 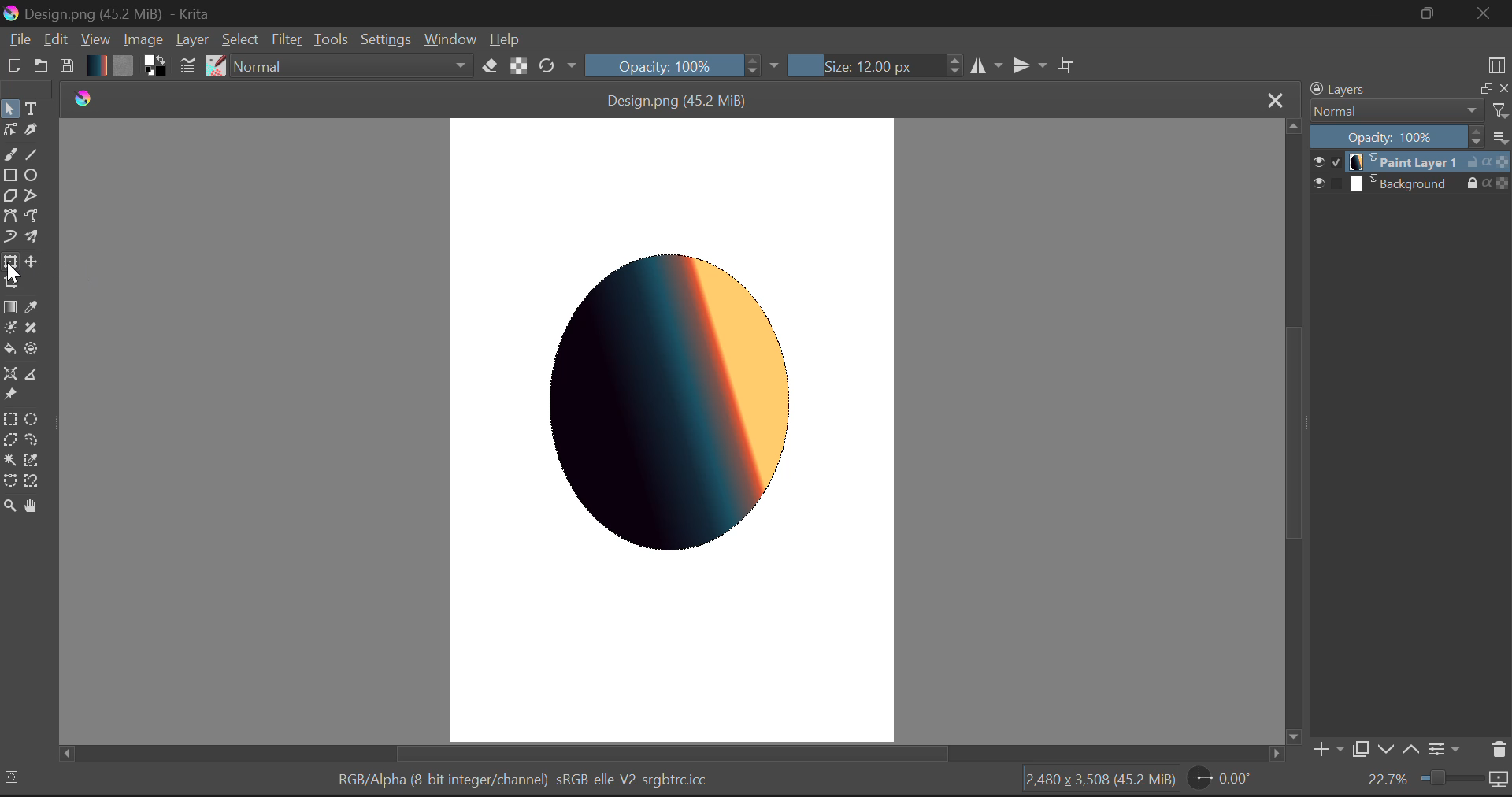 What do you see at coordinates (1411, 183) in the screenshot?
I see `Background Layer` at bounding box center [1411, 183].